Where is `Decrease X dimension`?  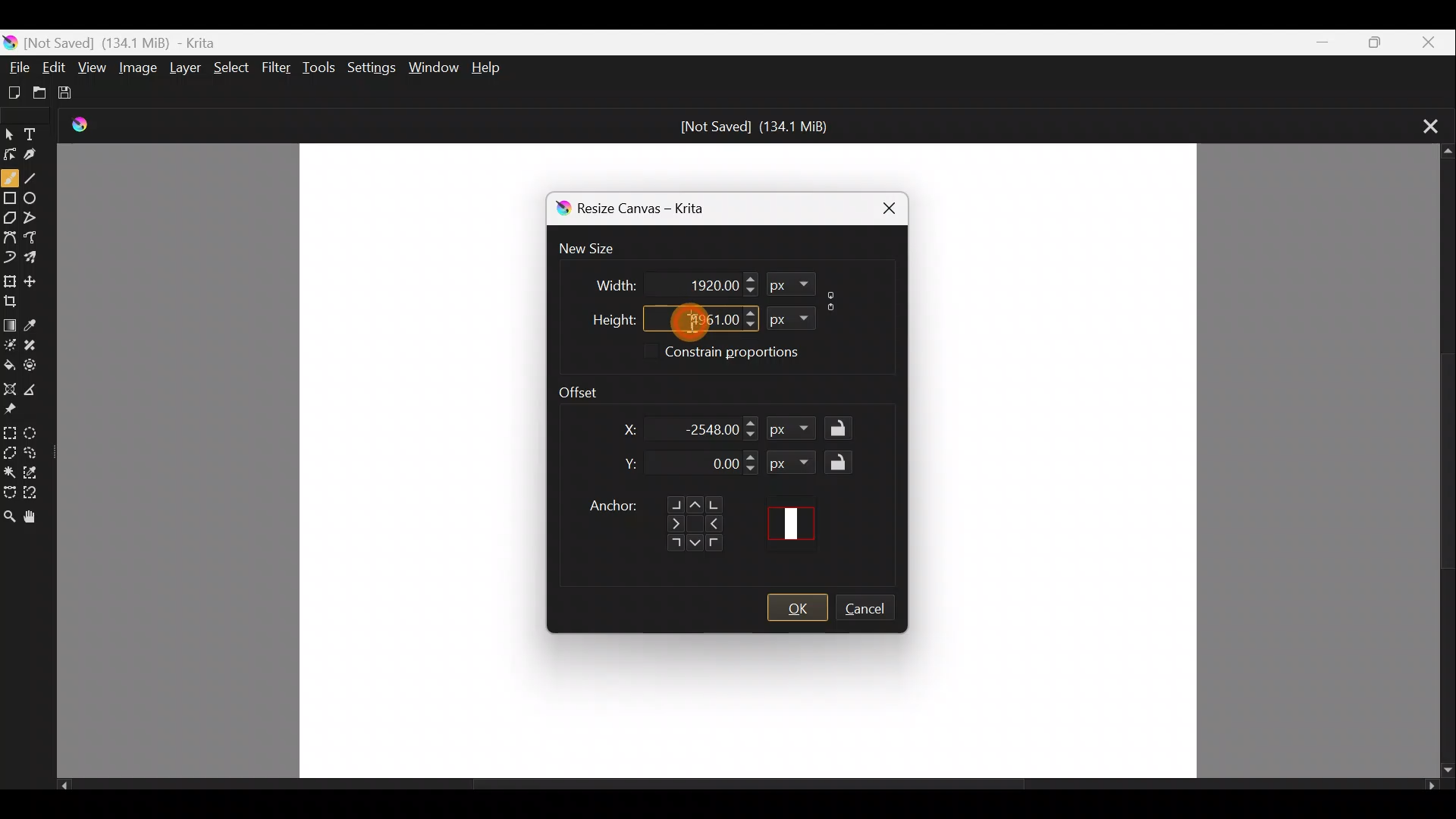 Decrease X dimension is located at coordinates (752, 435).